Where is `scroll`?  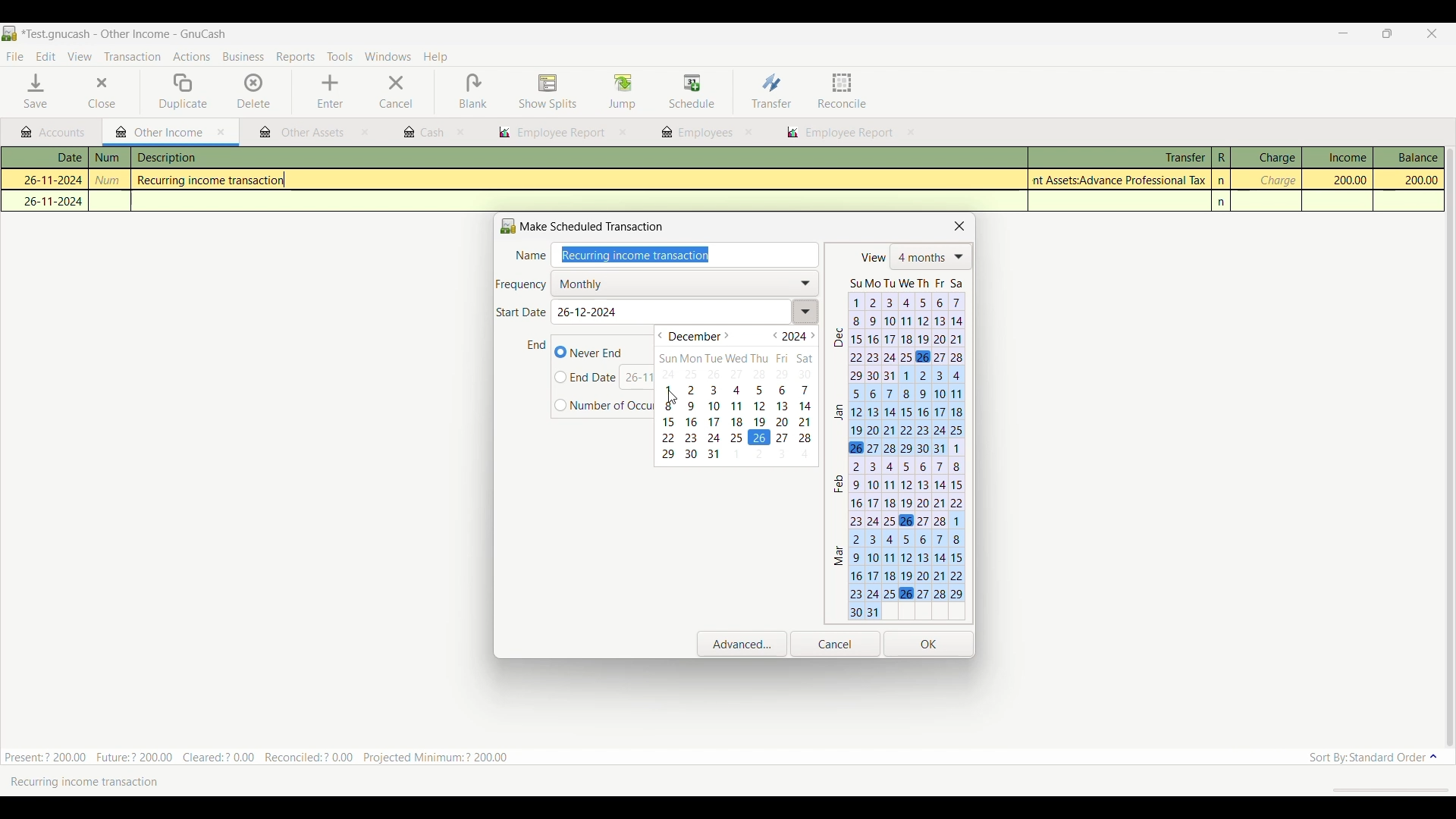
scroll is located at coordinates (1382, 789).